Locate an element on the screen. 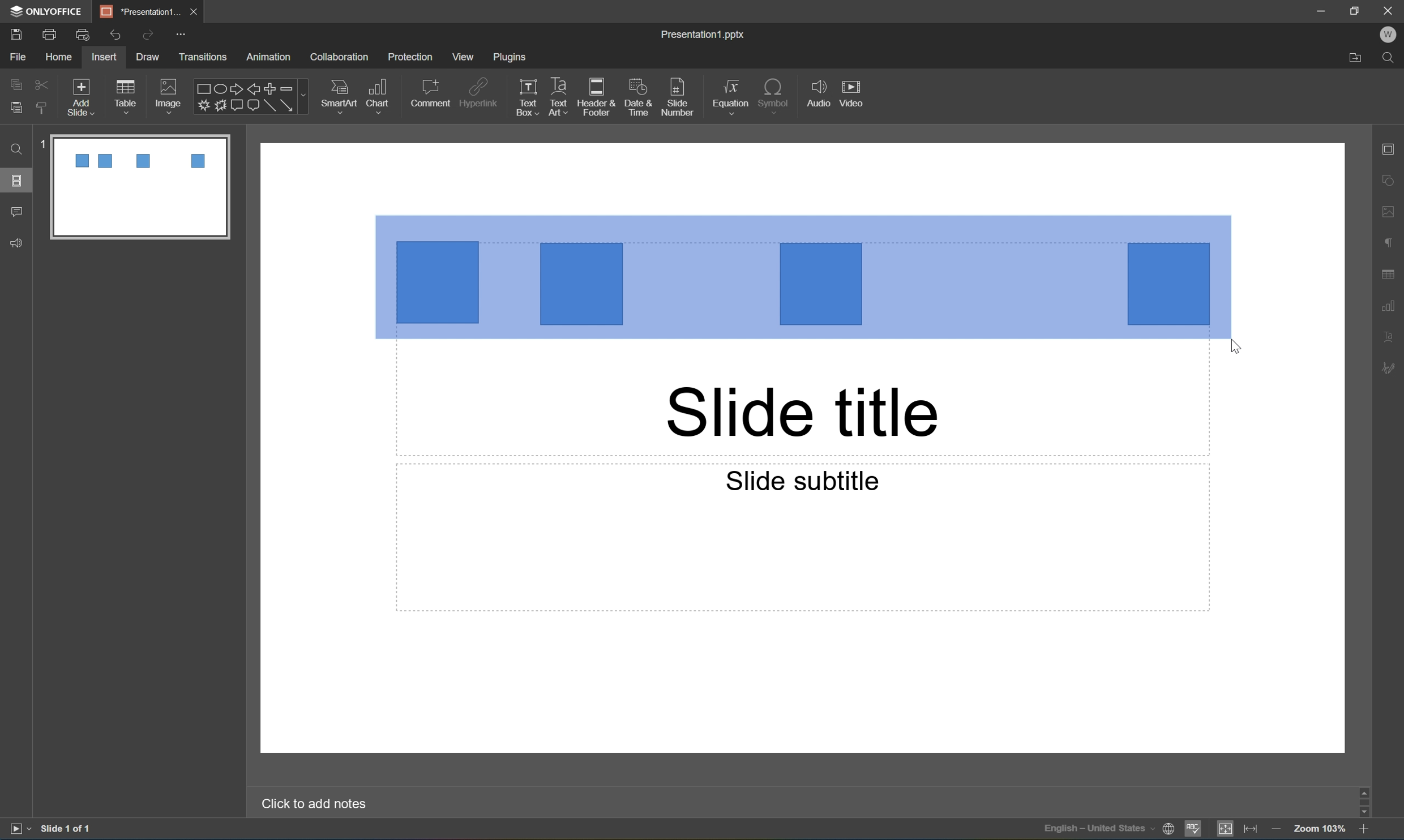  slide settings is located at coordinates (1393, 150).